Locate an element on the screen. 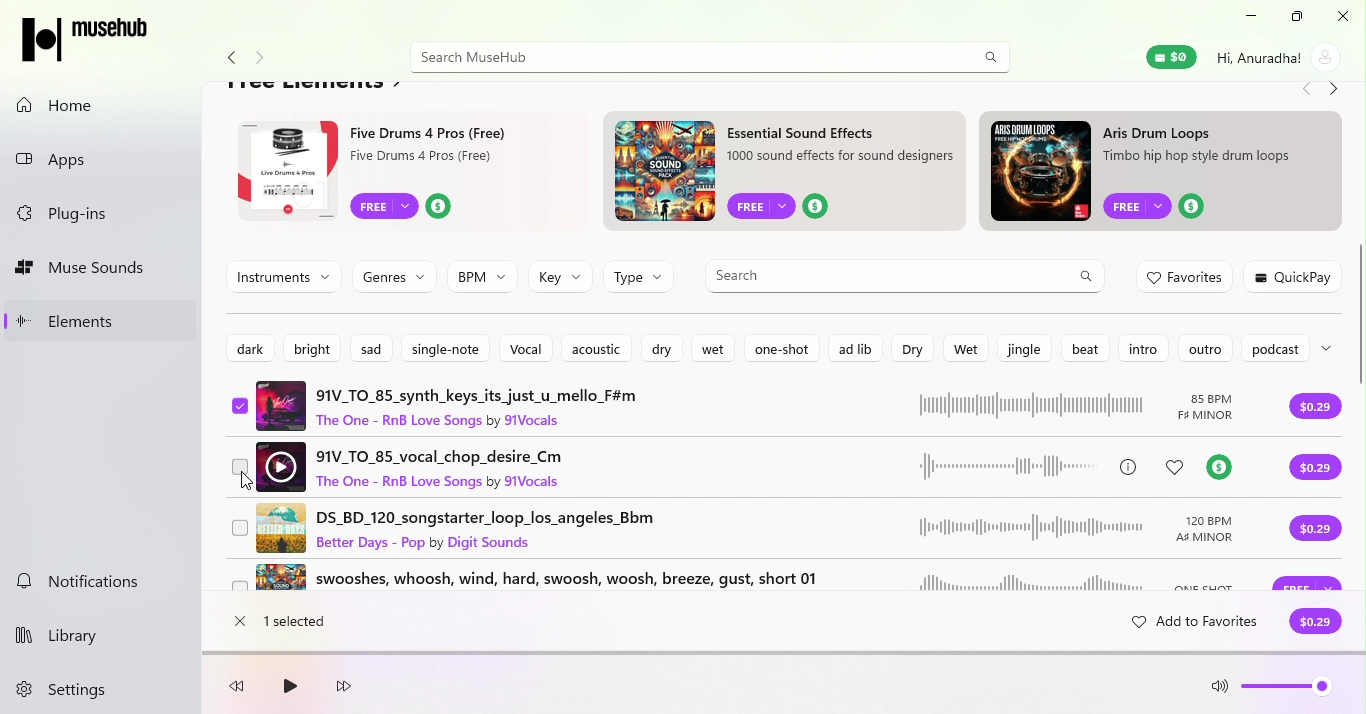  add to favorites is located at coordinates (1186, 625).